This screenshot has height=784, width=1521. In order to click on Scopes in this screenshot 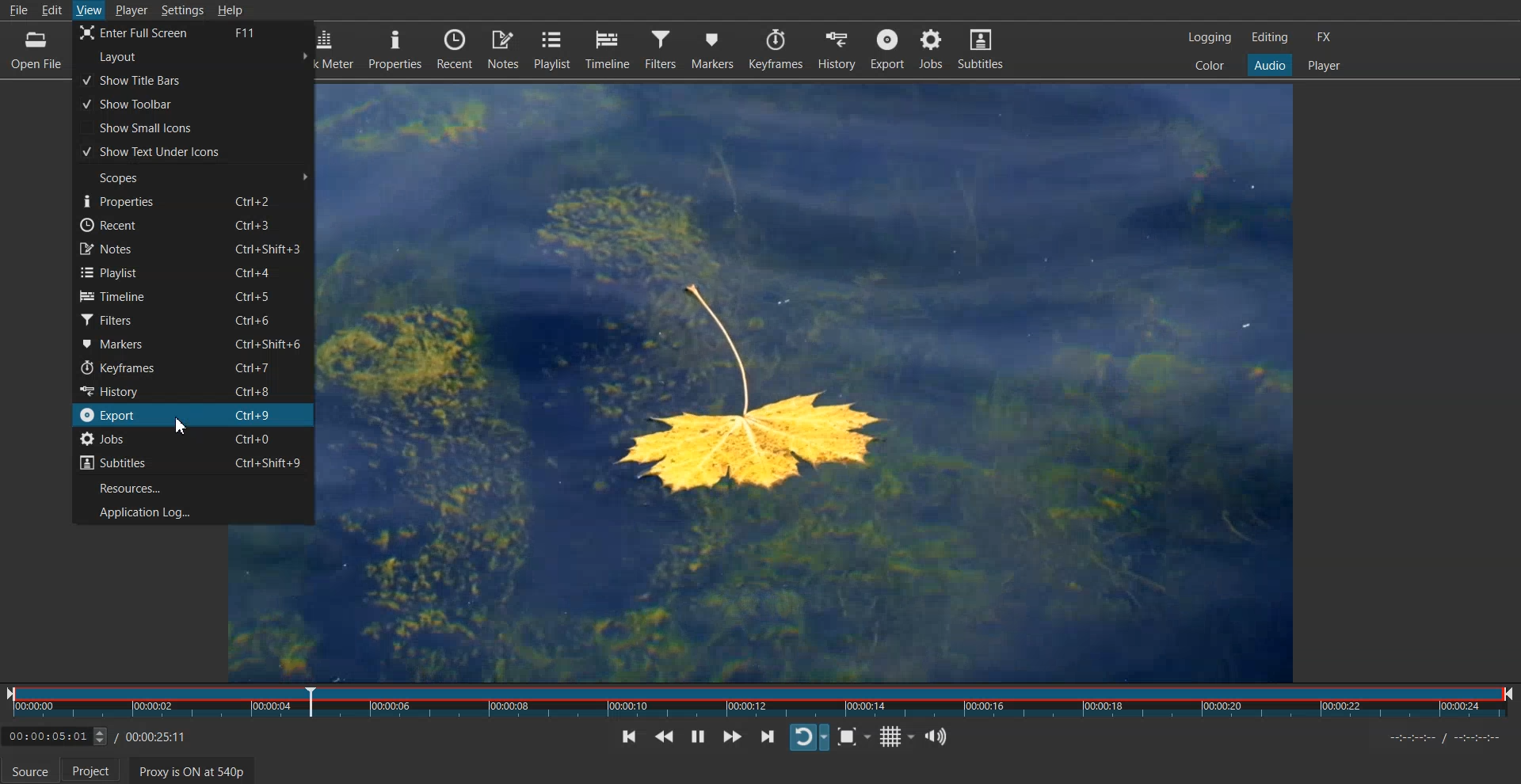, I will do `click(194, 177)`.